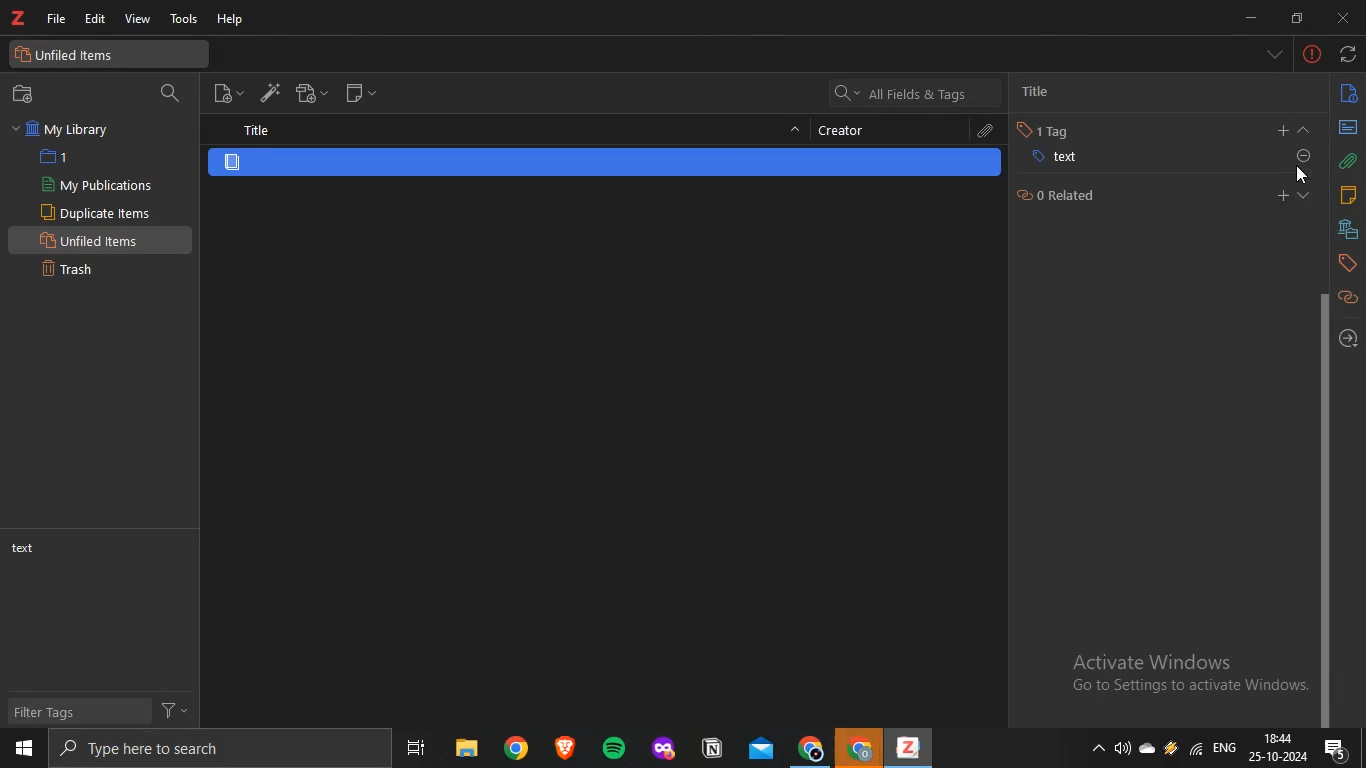 The image size is (1366, 768). Describe the element at coordinates (1343, 19) in the screenshot. I see `close` at that location.